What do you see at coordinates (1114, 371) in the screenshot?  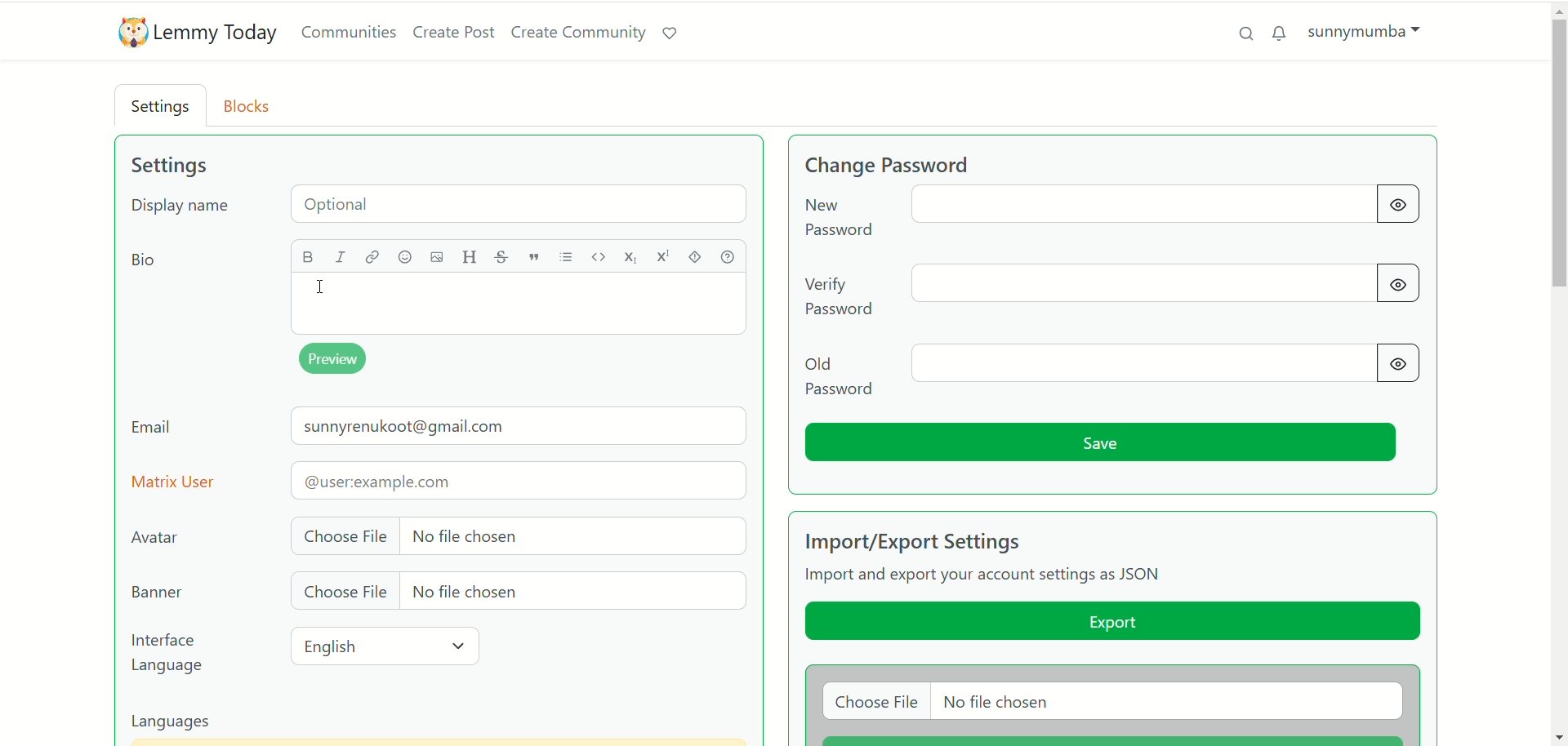 I see `old password` at bounding box center [1114, 371].